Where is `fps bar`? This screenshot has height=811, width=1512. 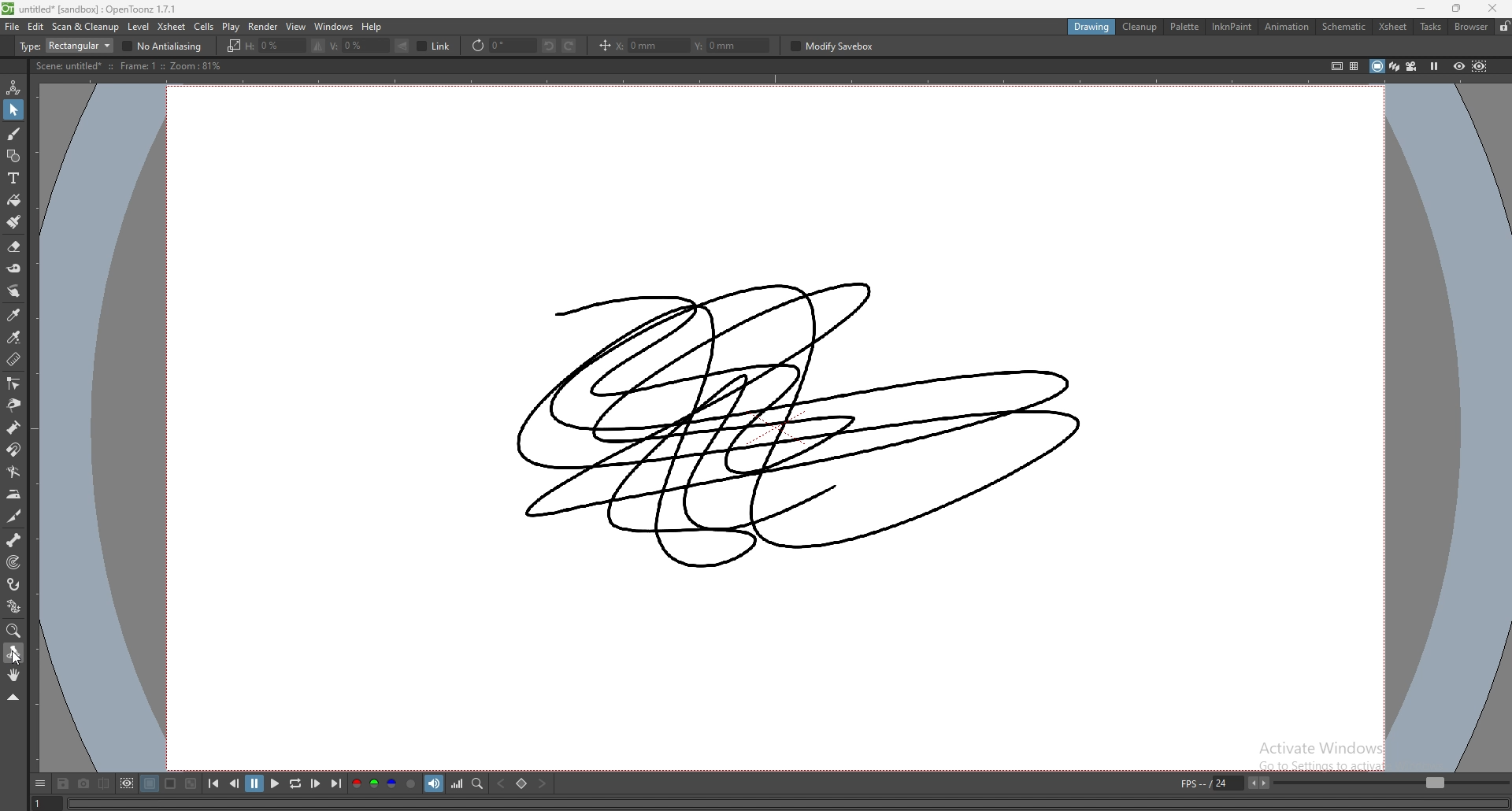 fps bar is located at coordinates (1392, 783).